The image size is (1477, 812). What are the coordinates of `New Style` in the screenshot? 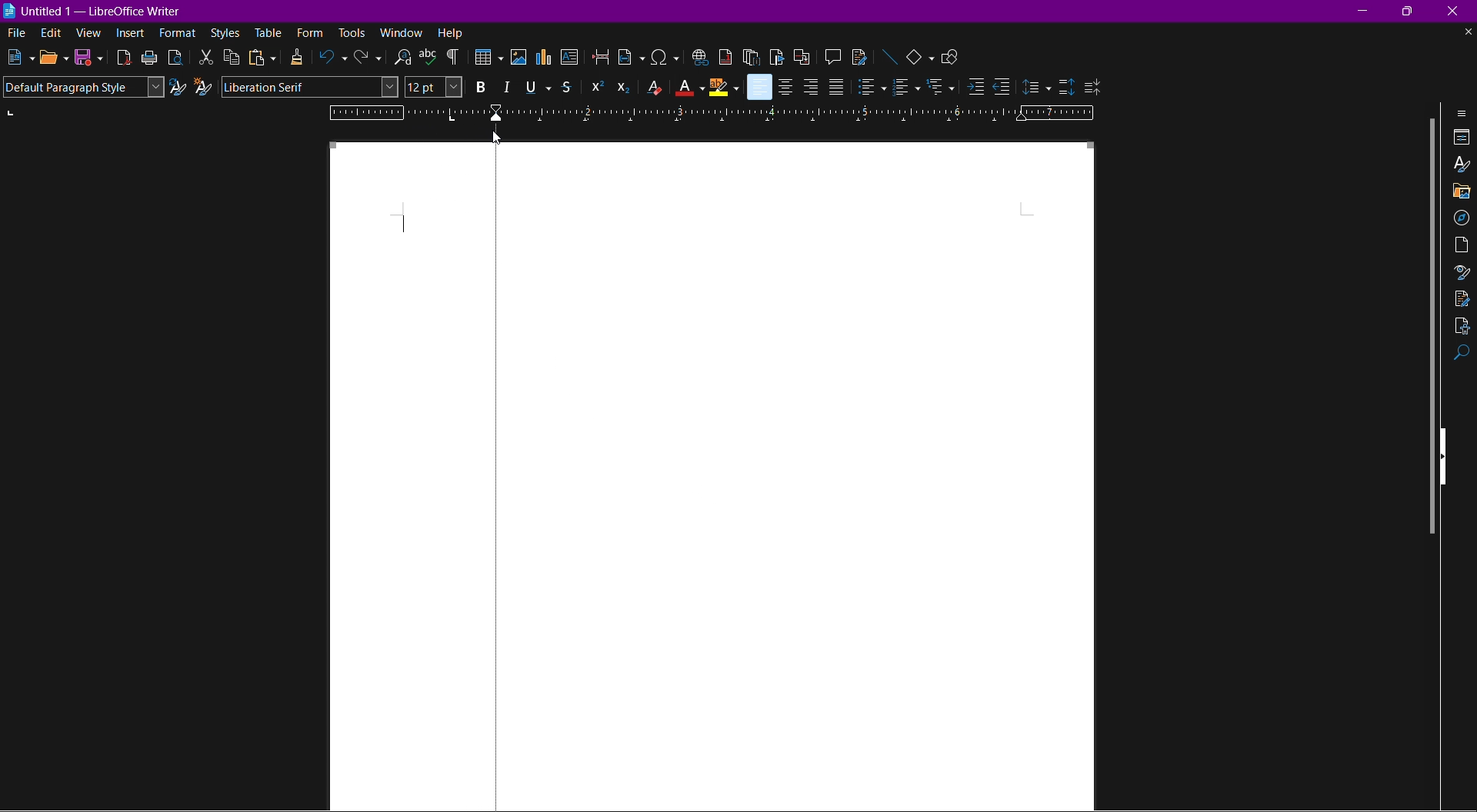 It's located at (205, 87).